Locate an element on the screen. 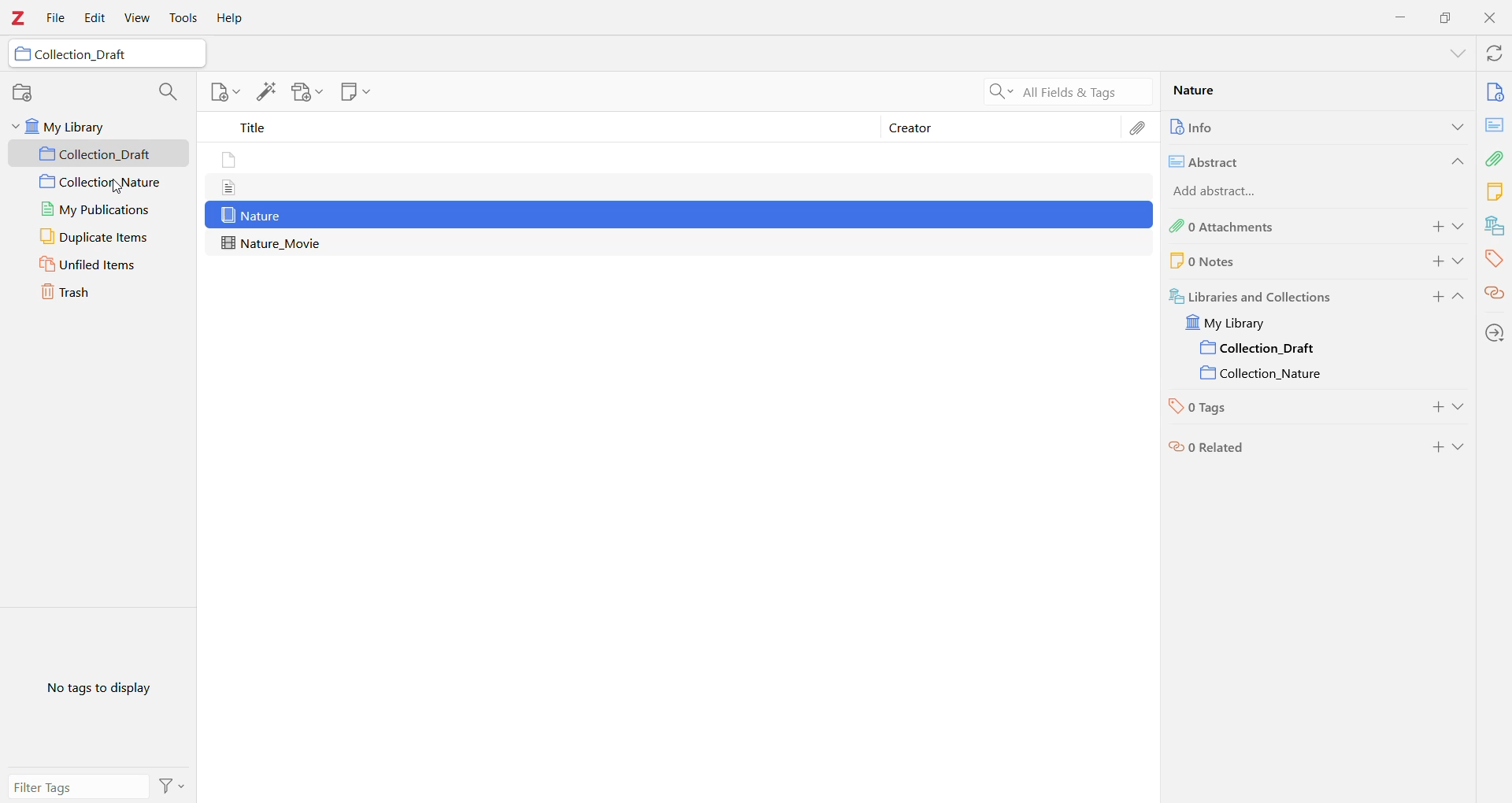 Image resolution: width=1512 pixels, height=803 pixels. New Note is located at coordinates (355, 92).